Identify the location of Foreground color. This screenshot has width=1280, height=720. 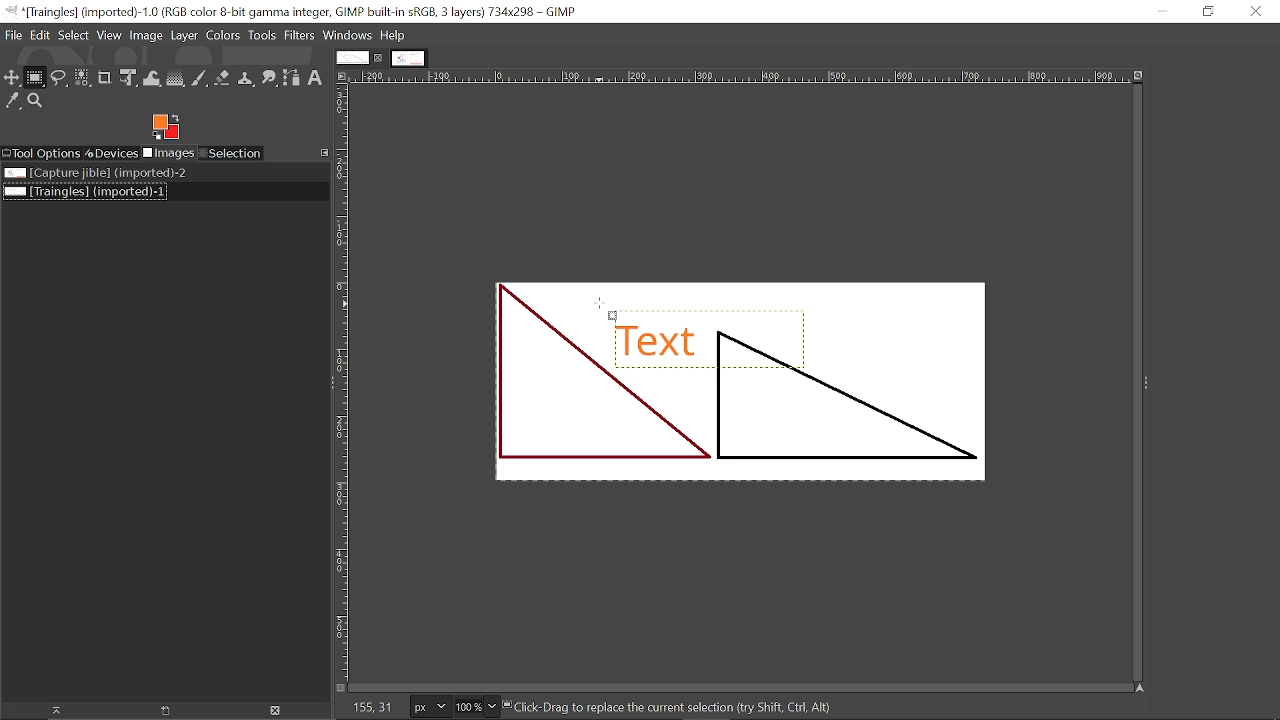
(168, 126).